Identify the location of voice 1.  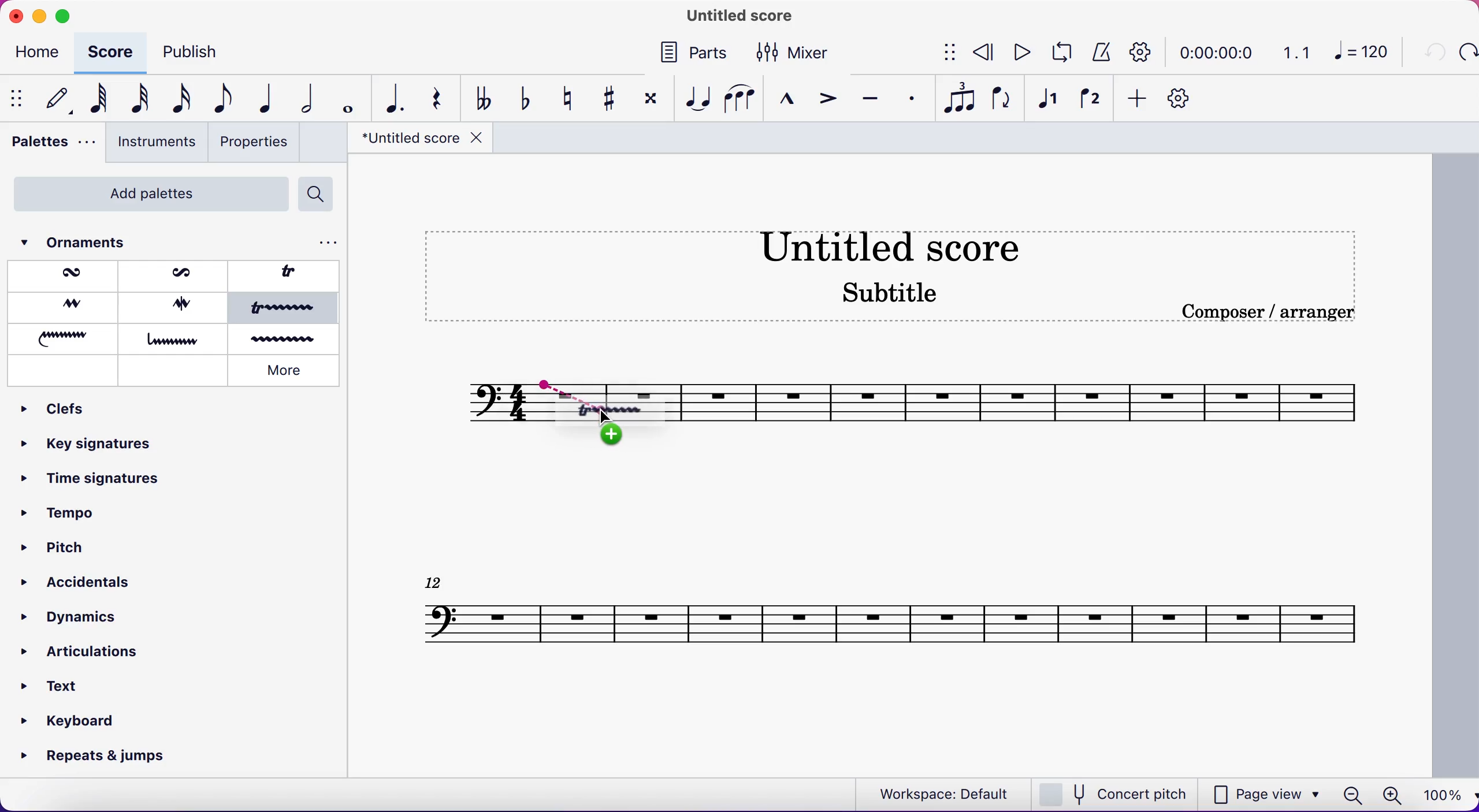
(1051, 101).